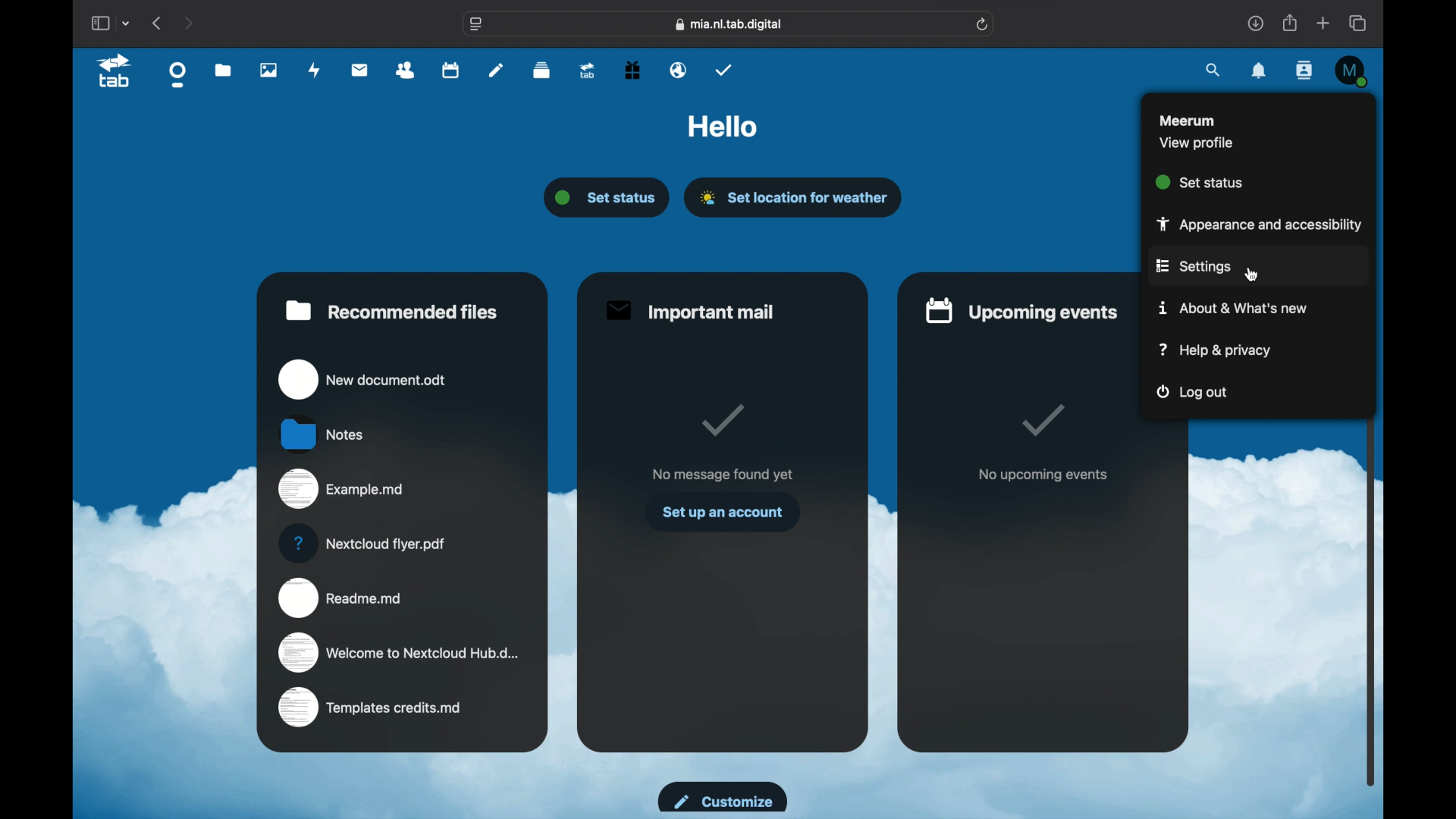  What do you see at coordinates (1324, 23) in the screenshot?
I see `new tab` at bounding box center [1324, 23].